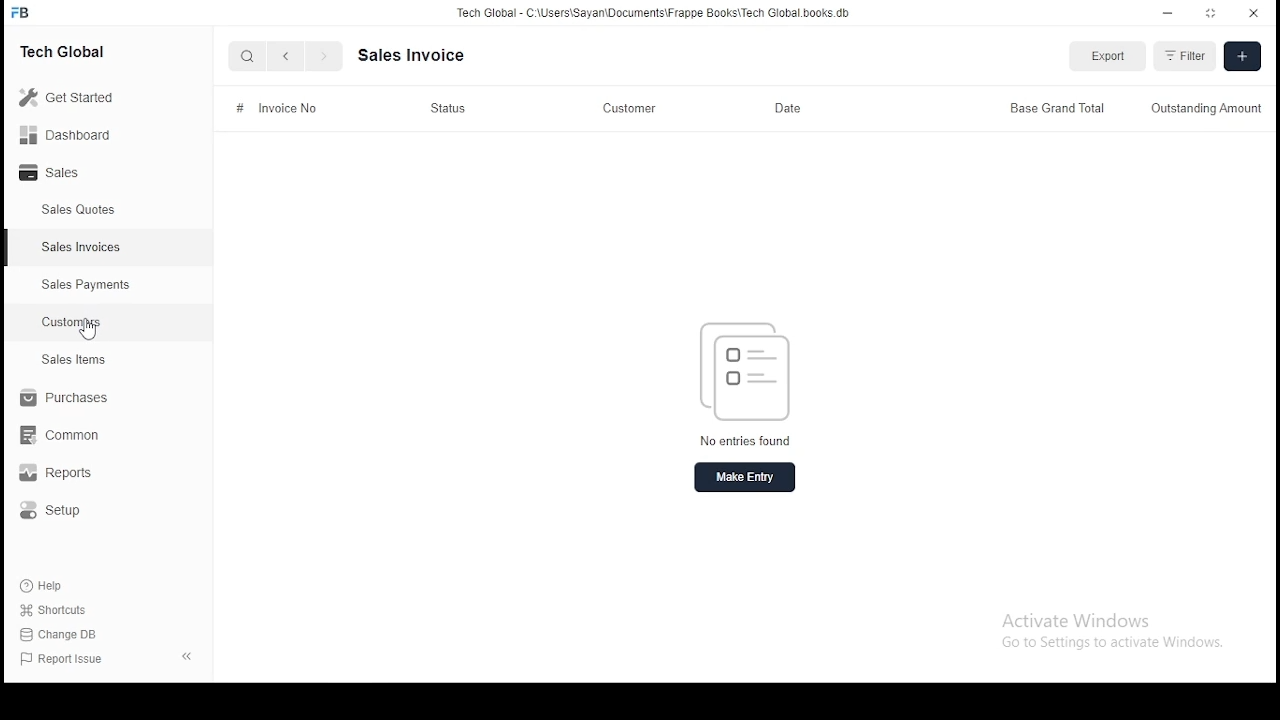 The width and height of the screenshot is (1280, 720). What do you see at coordinates (72, 323) in the screenshot?
I see `customers` at bounding box center [72, 323].